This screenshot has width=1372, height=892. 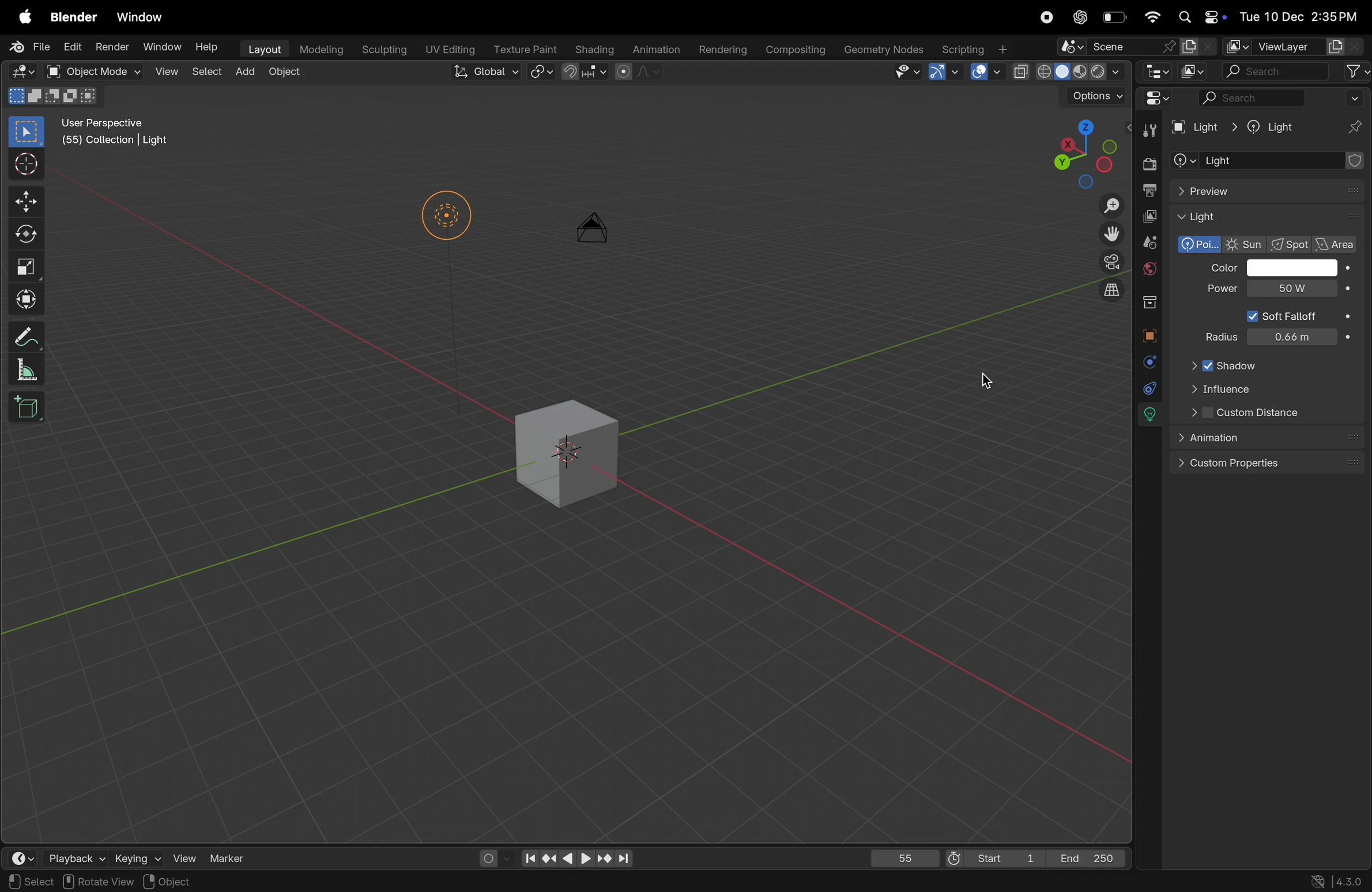 I want to click on rendering, so click(x=722, y=46).